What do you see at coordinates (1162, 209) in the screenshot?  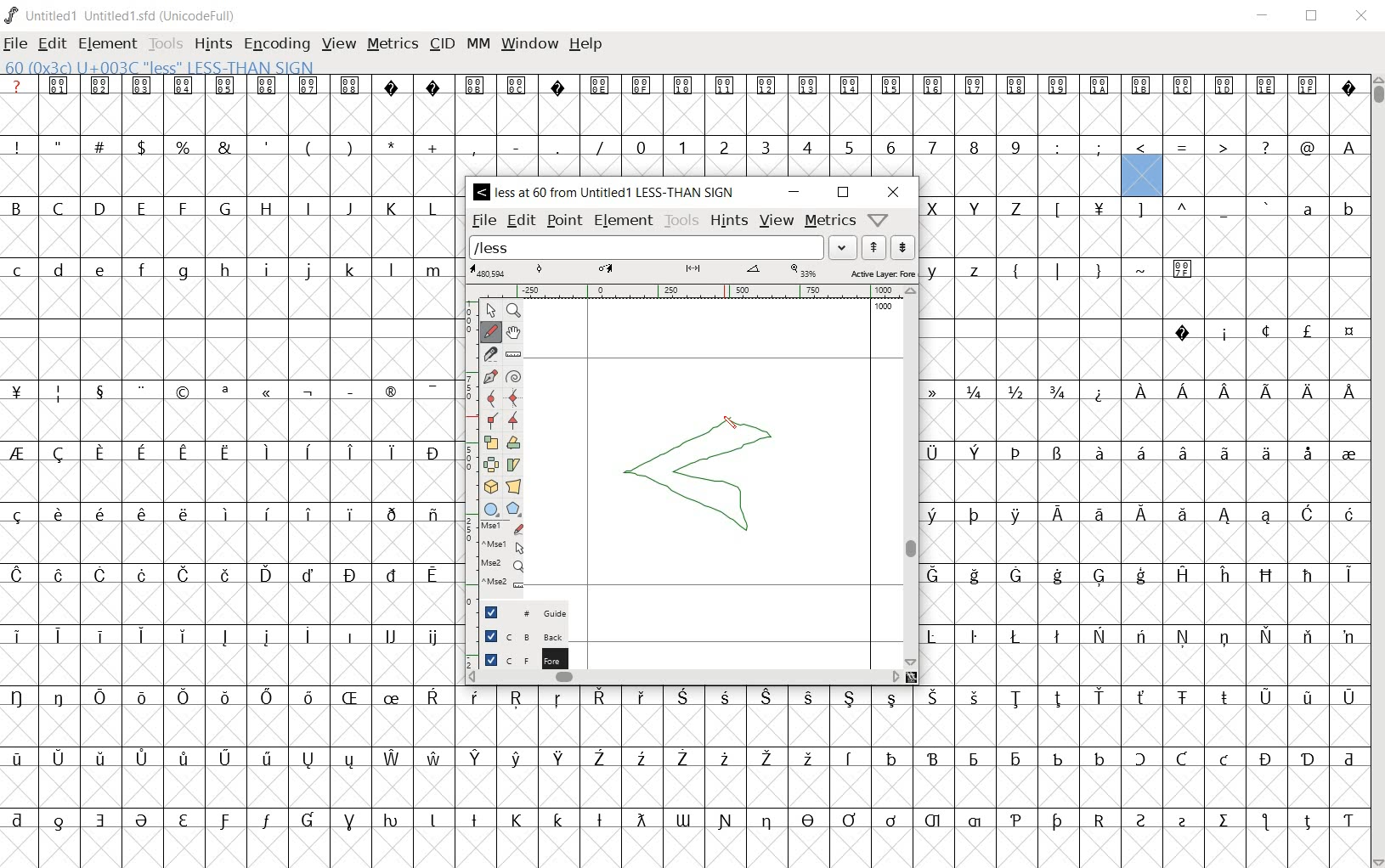 I see `sumbols` at bounding box center [1162, 209].